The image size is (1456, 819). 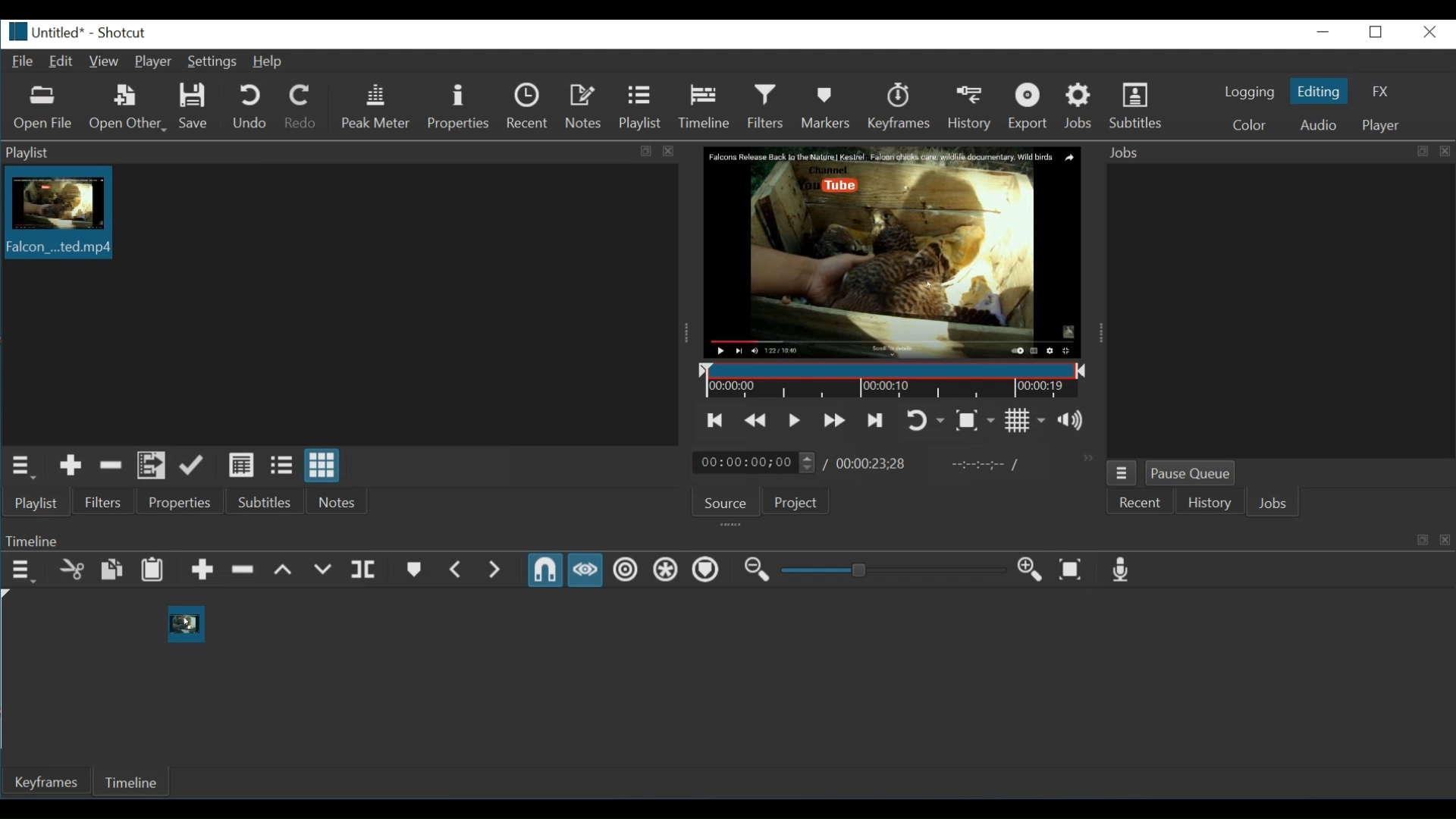 What do you see at coordinates (1140, 104) in the screenshot?
I see `Subtitles` at bounding box center [1140, 104].